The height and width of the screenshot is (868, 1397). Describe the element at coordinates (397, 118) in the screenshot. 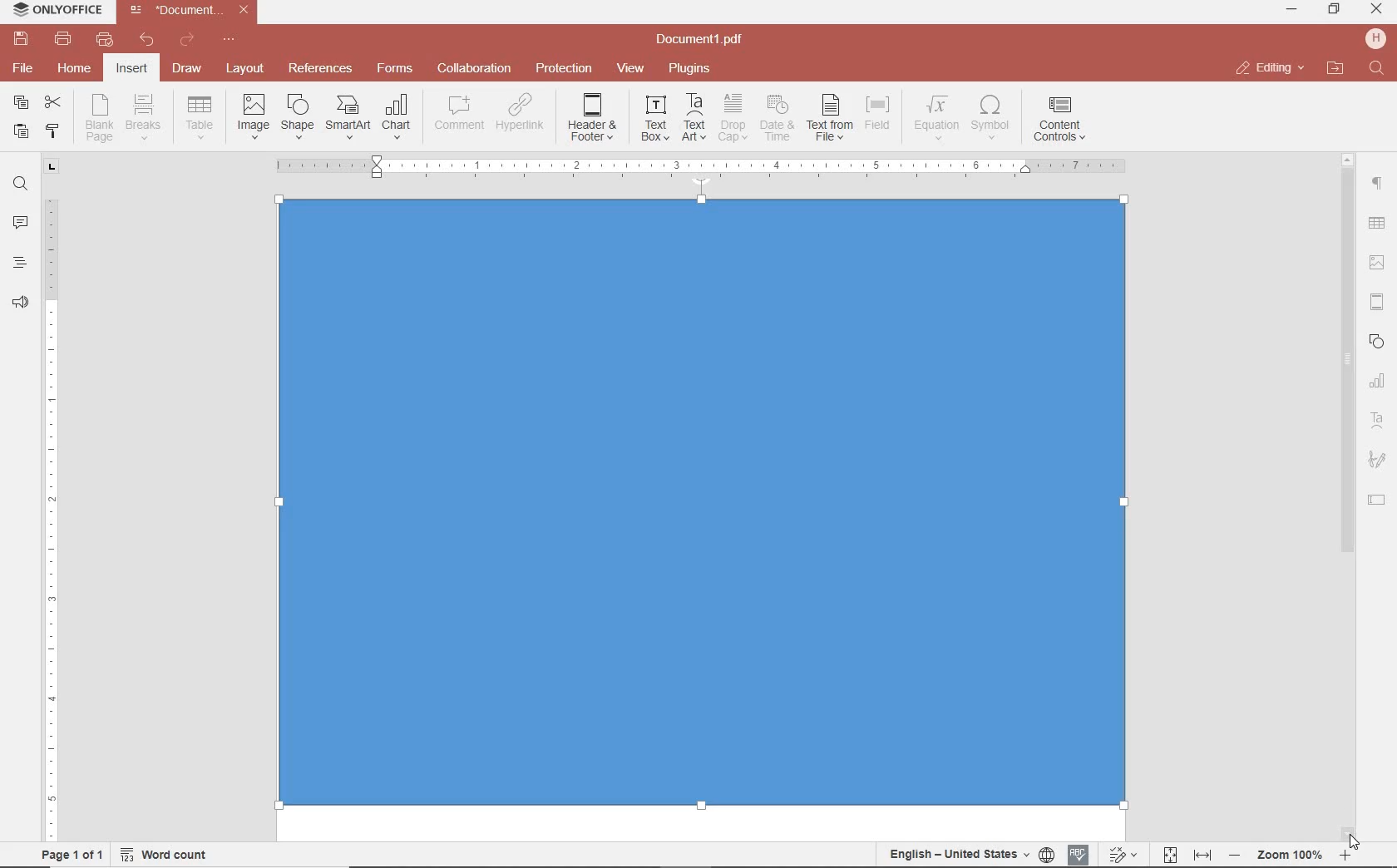

I see `INSERT CHAT` at that location.